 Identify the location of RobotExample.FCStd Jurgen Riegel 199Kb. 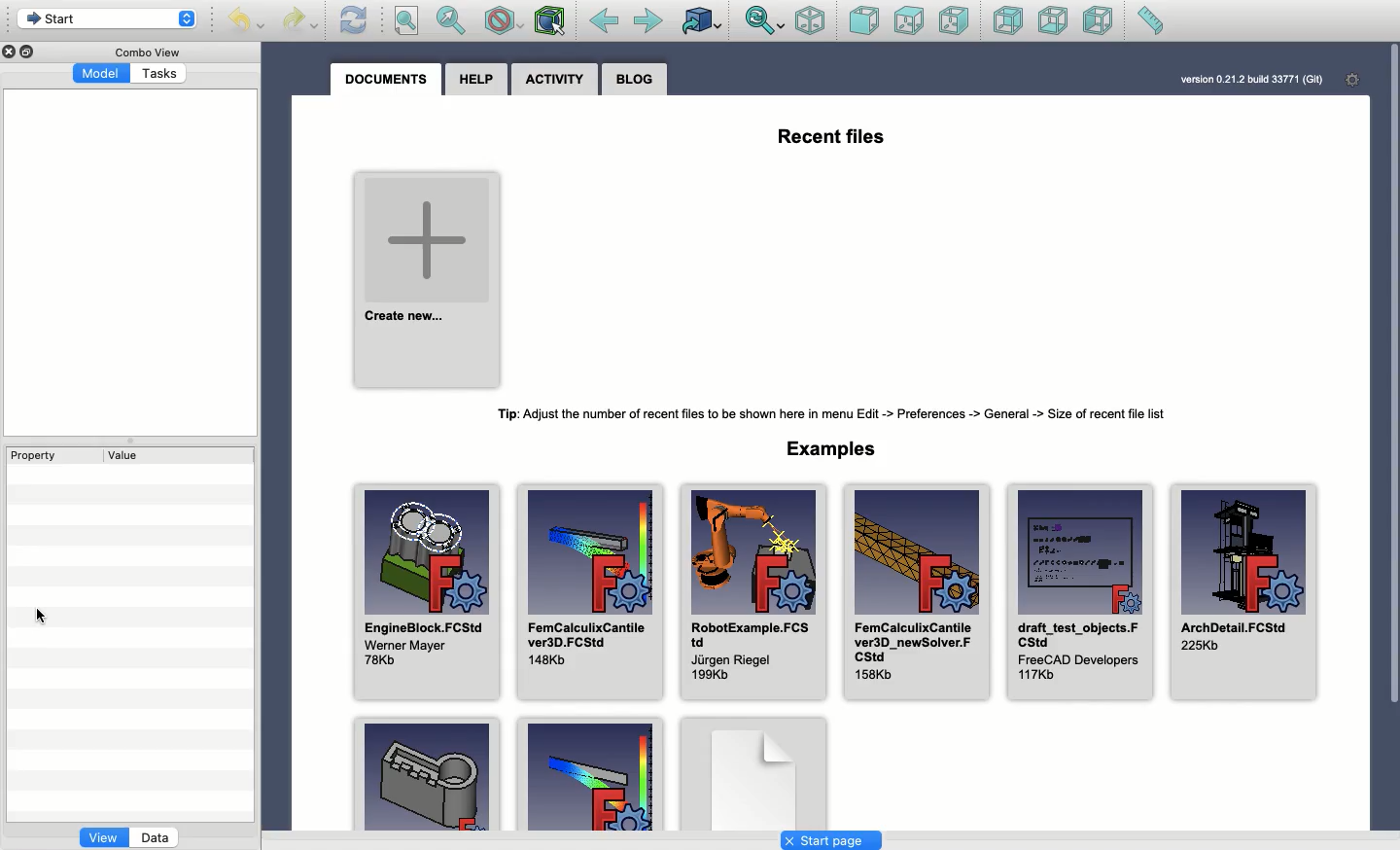
(754, 592).